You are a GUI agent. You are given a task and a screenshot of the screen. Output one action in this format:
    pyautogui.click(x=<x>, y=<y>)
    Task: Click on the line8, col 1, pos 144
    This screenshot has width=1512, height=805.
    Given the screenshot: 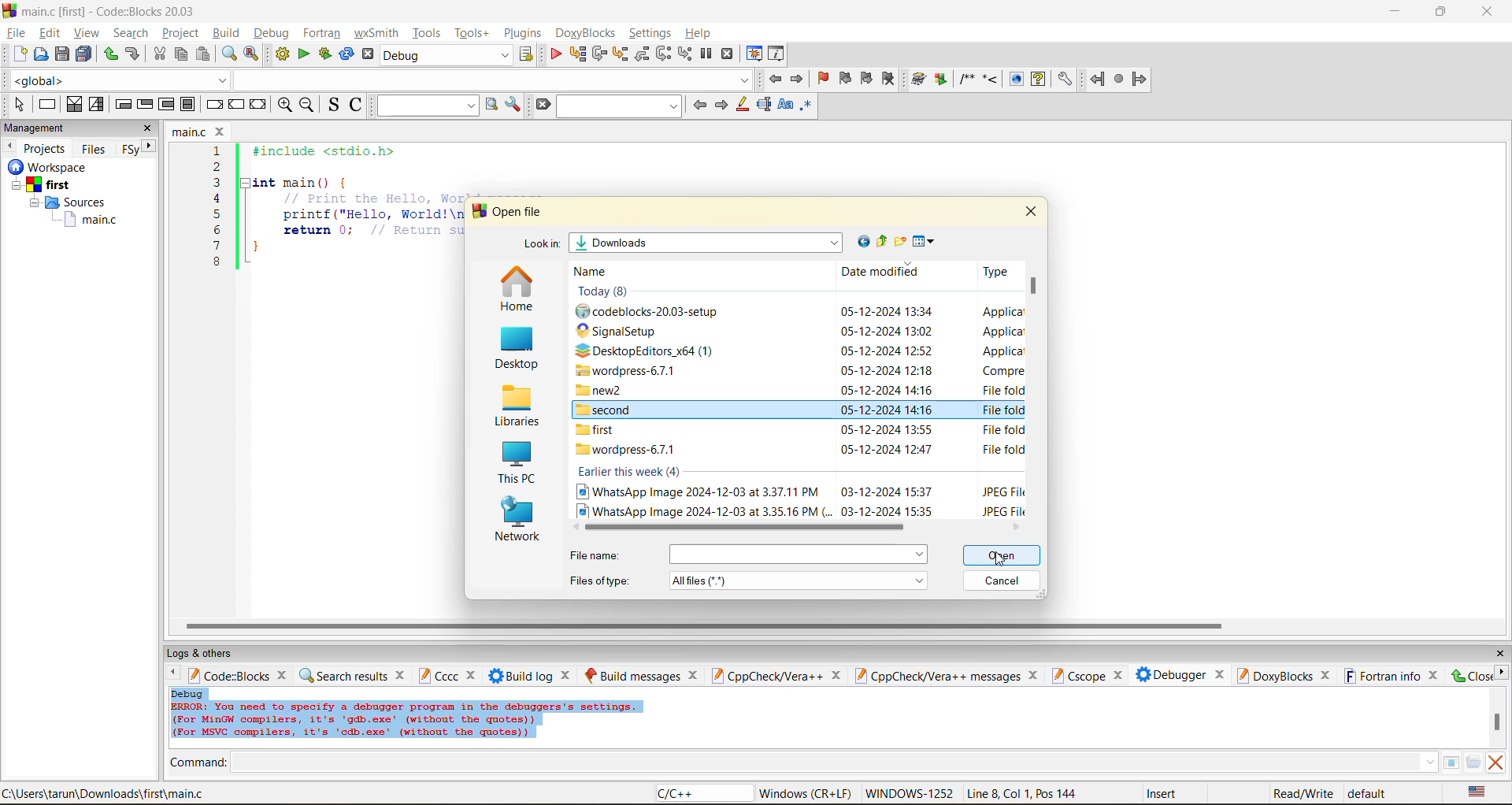 What is the action you would take?
    pyautogui.click(x=1025, y=793)
    